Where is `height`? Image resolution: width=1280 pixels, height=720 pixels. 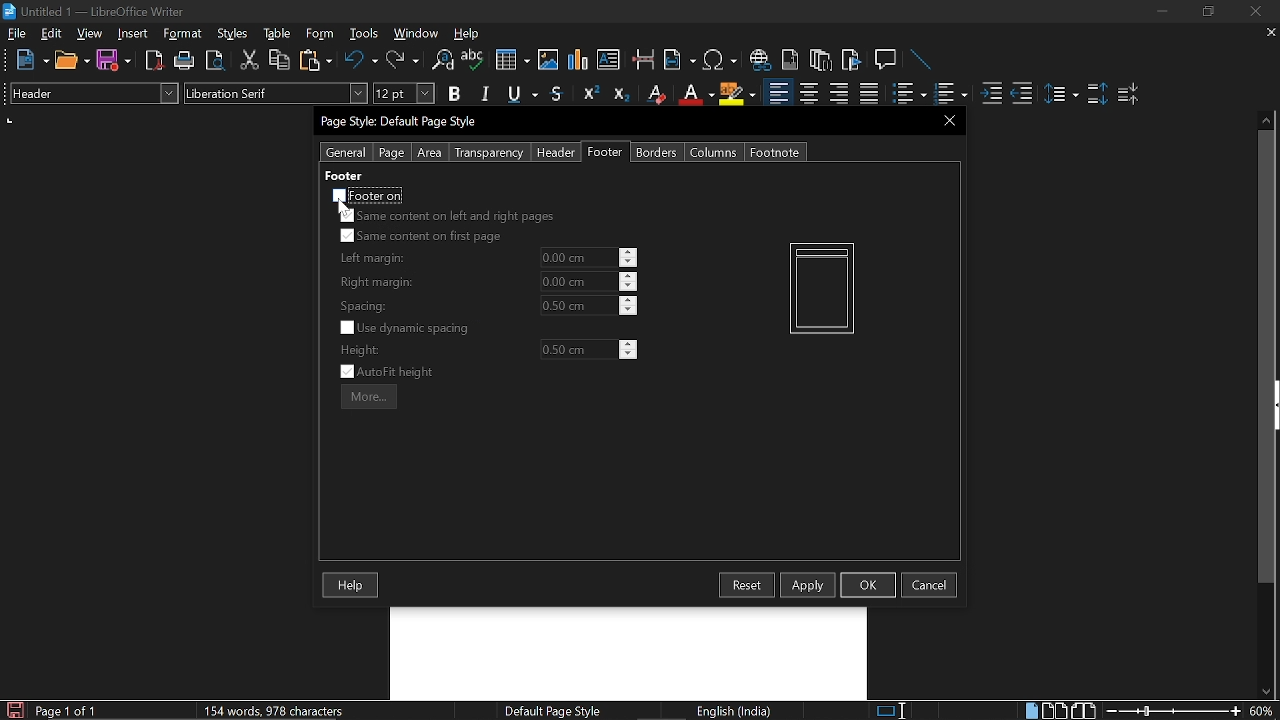 height is located at coordinates (362, 351).